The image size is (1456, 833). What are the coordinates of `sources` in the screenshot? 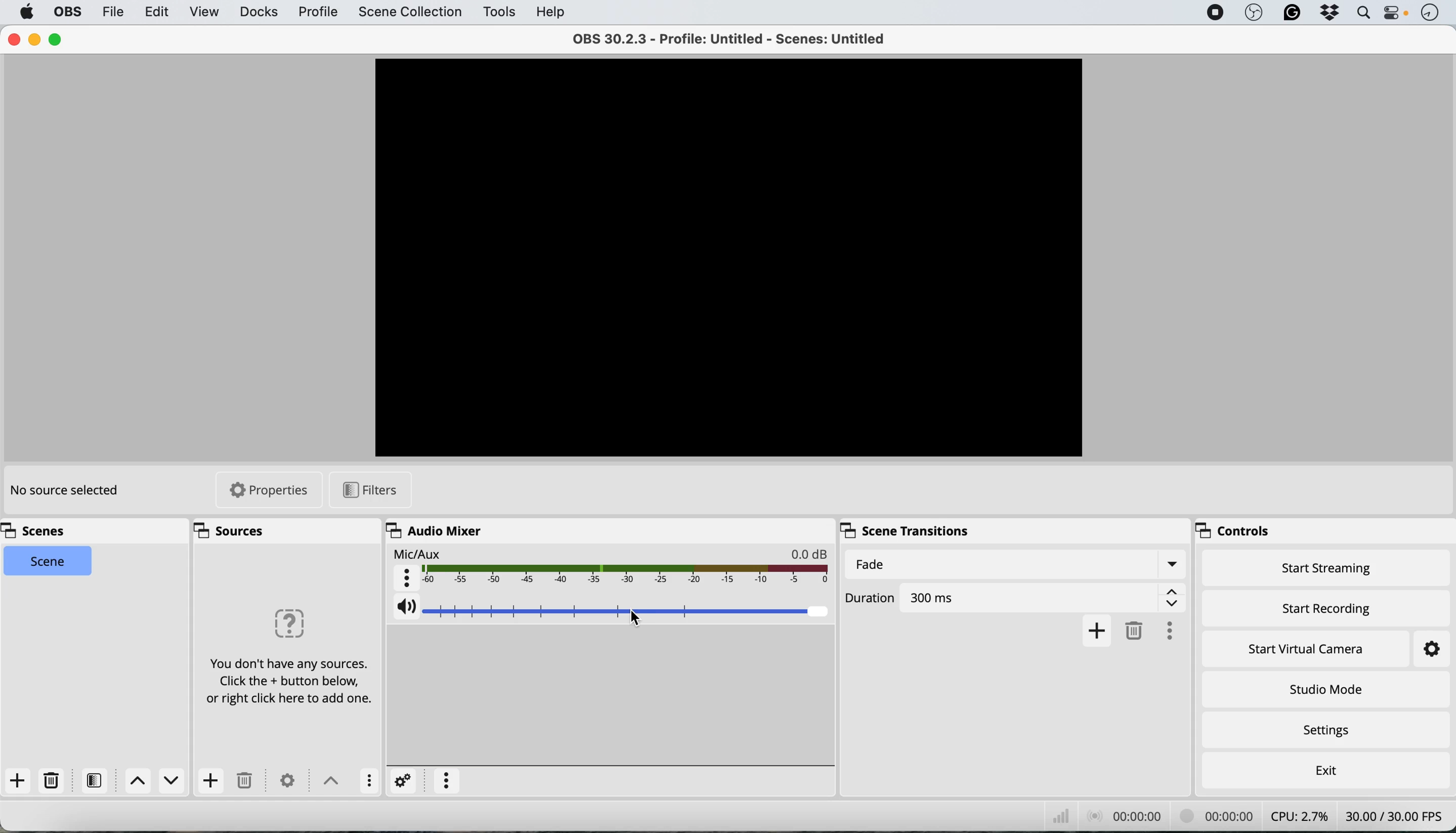 It's located at (229, 530).